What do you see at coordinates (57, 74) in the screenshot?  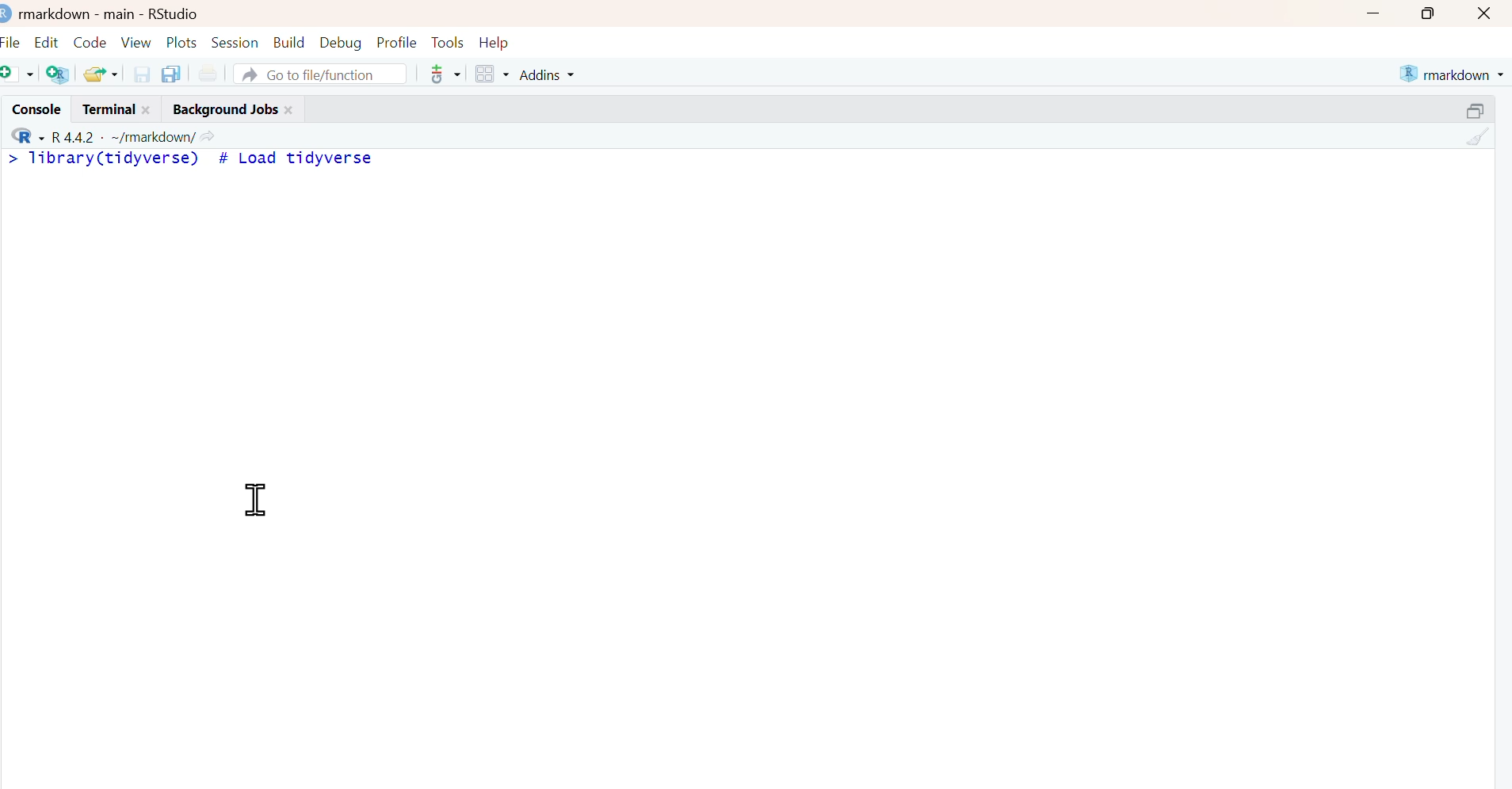 I see `create project` at bounding box center [57, 74].